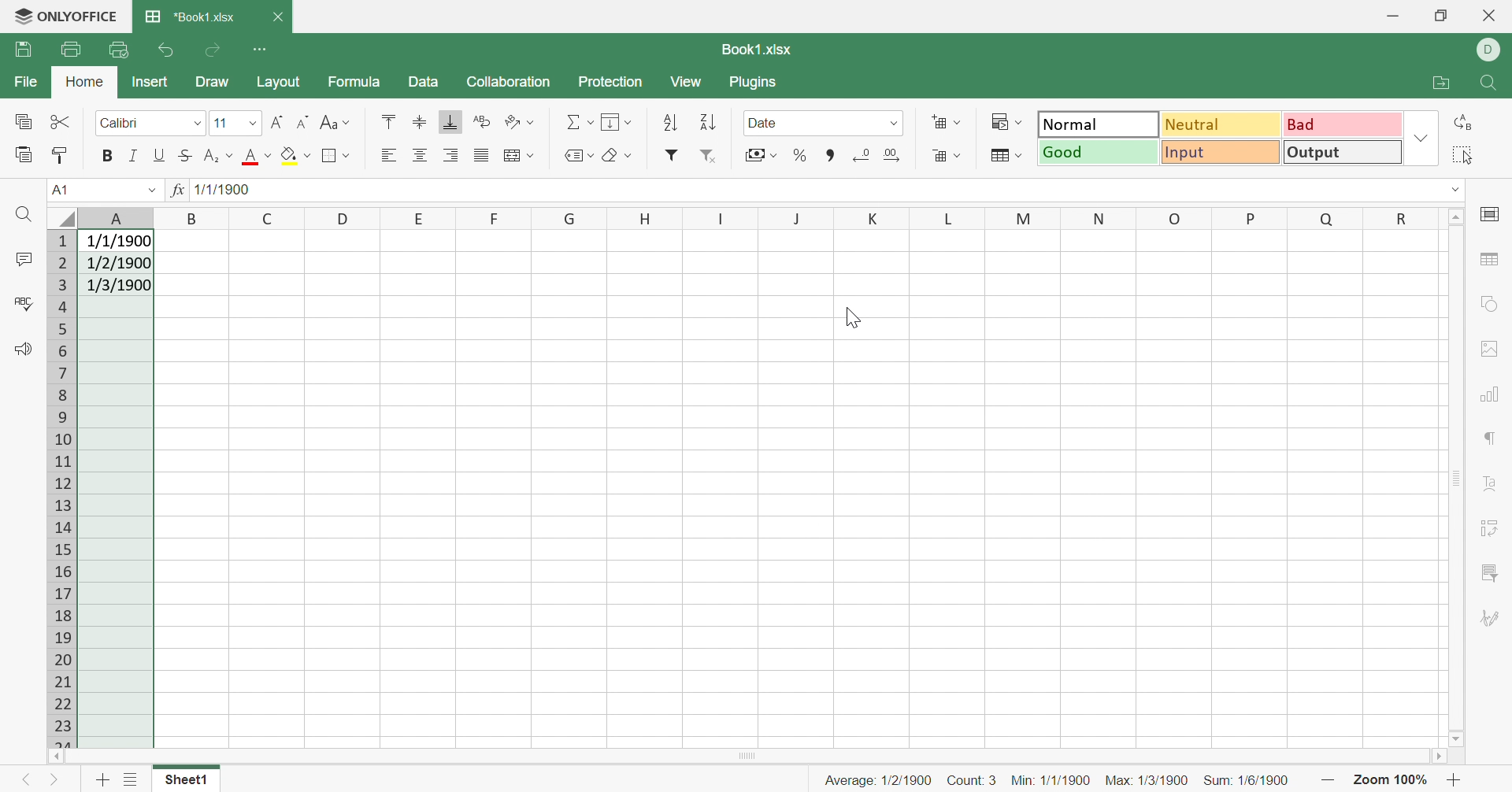 Image resolution: width=1512 pixels, height=792 pixels. Describe the element at coordinates (1492, 261) in the screenshot. I see `Table settings` at that location.